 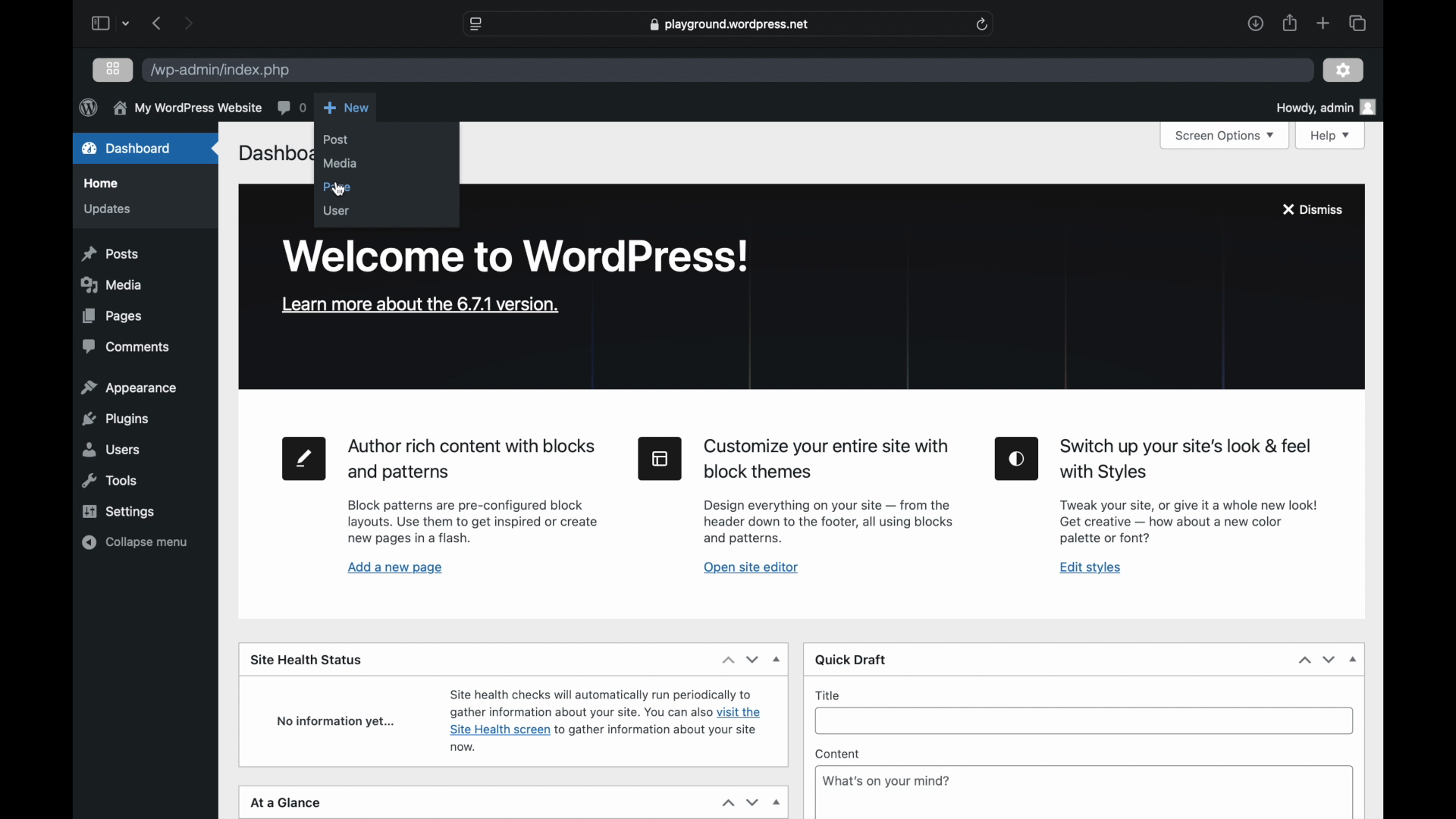 What do you see at coordinates (1313, 210) in the screenshot?
I see `dismiss` at bounding box center [1313, 210].